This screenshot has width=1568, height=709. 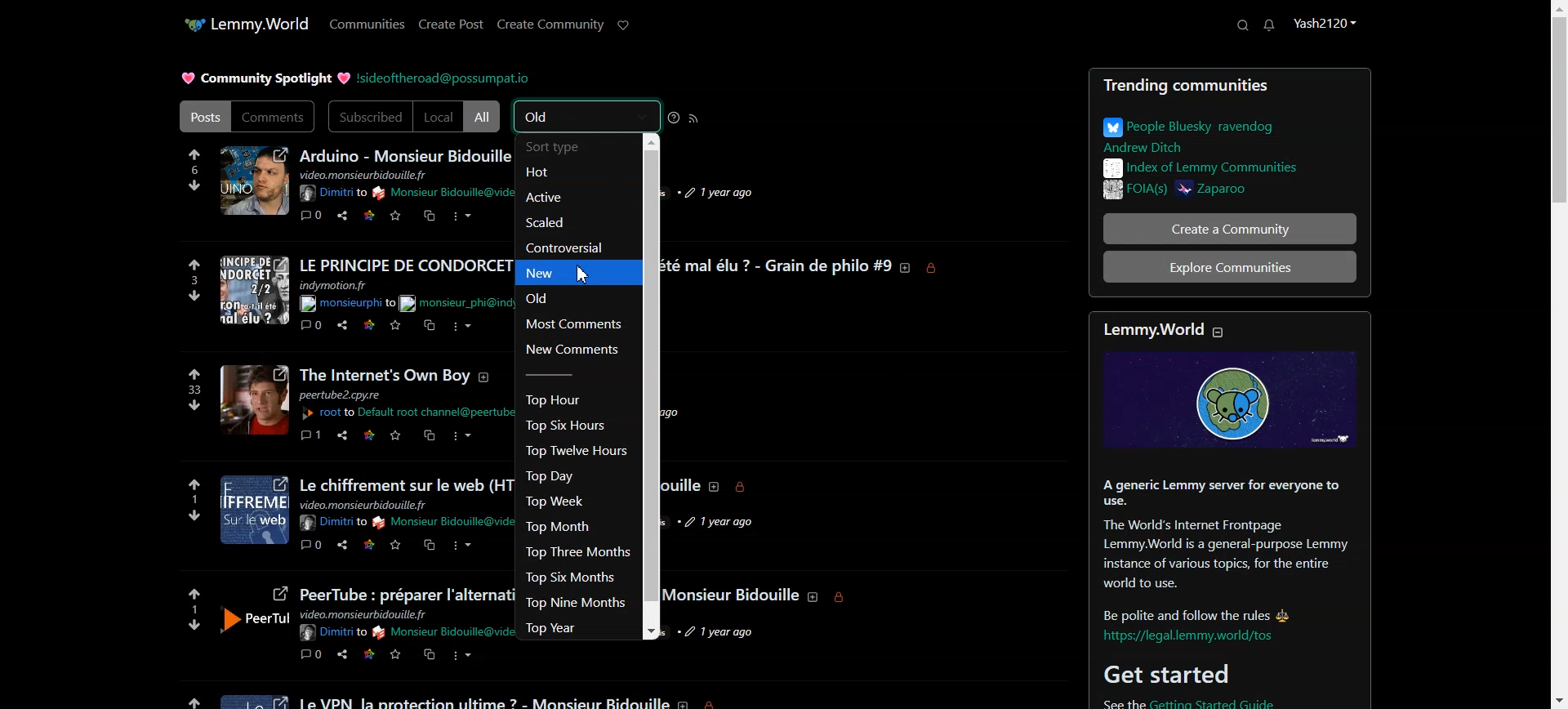 What do you see at coordinates (430, 654) in the screenshot?
I see `` at bounding box center [430, 654].